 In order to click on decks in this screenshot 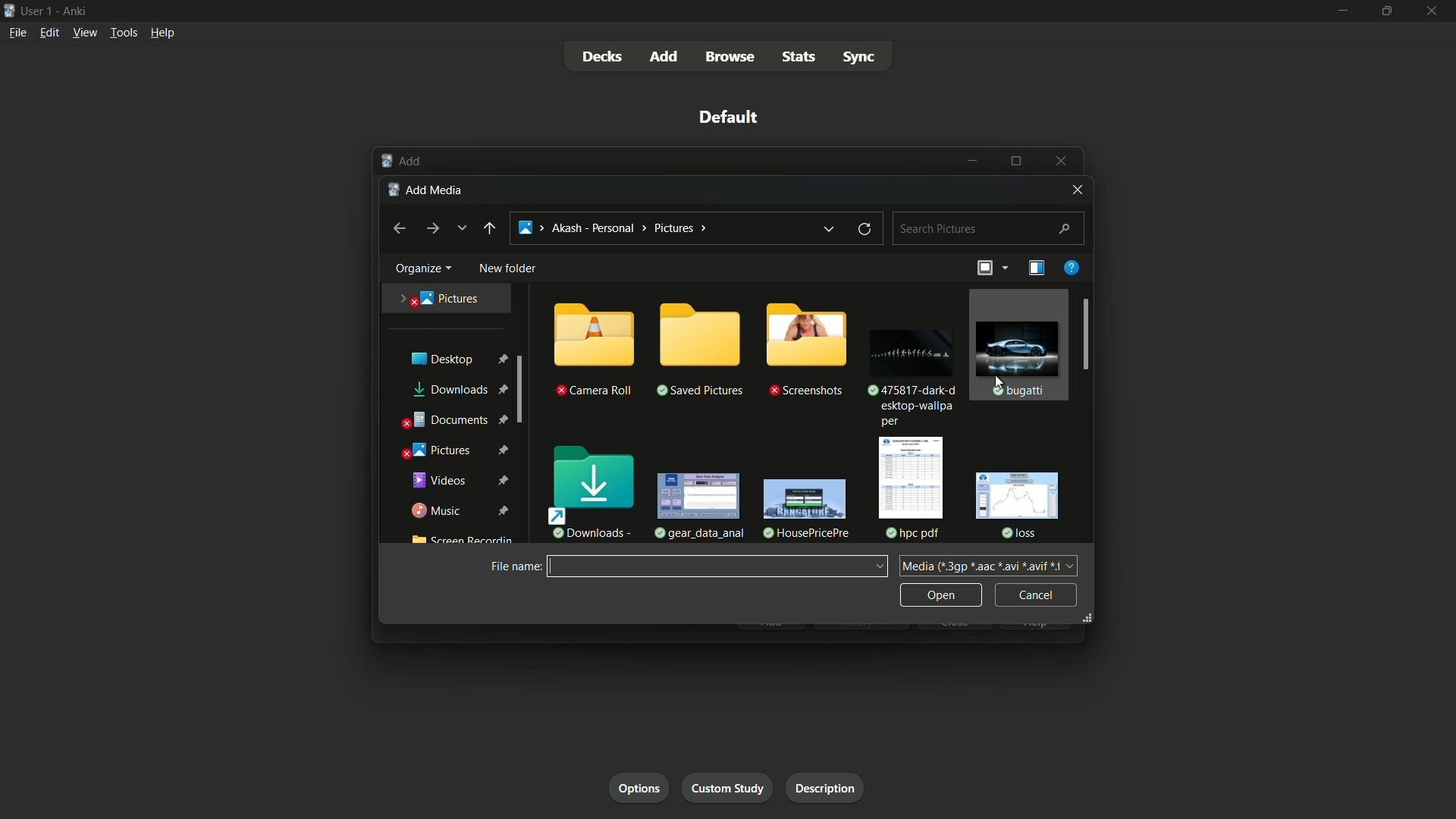, I will do `click(602, 58)`.